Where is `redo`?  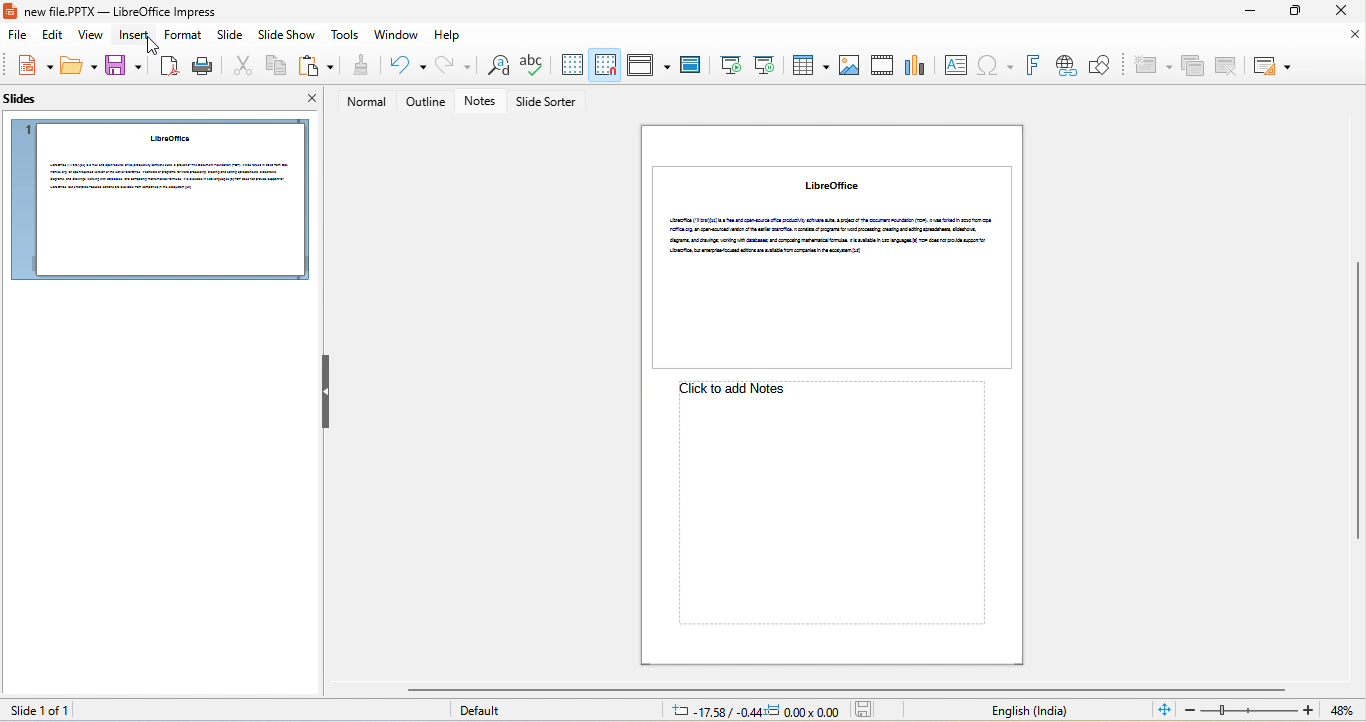
redo is located at coordinates (454, 65).